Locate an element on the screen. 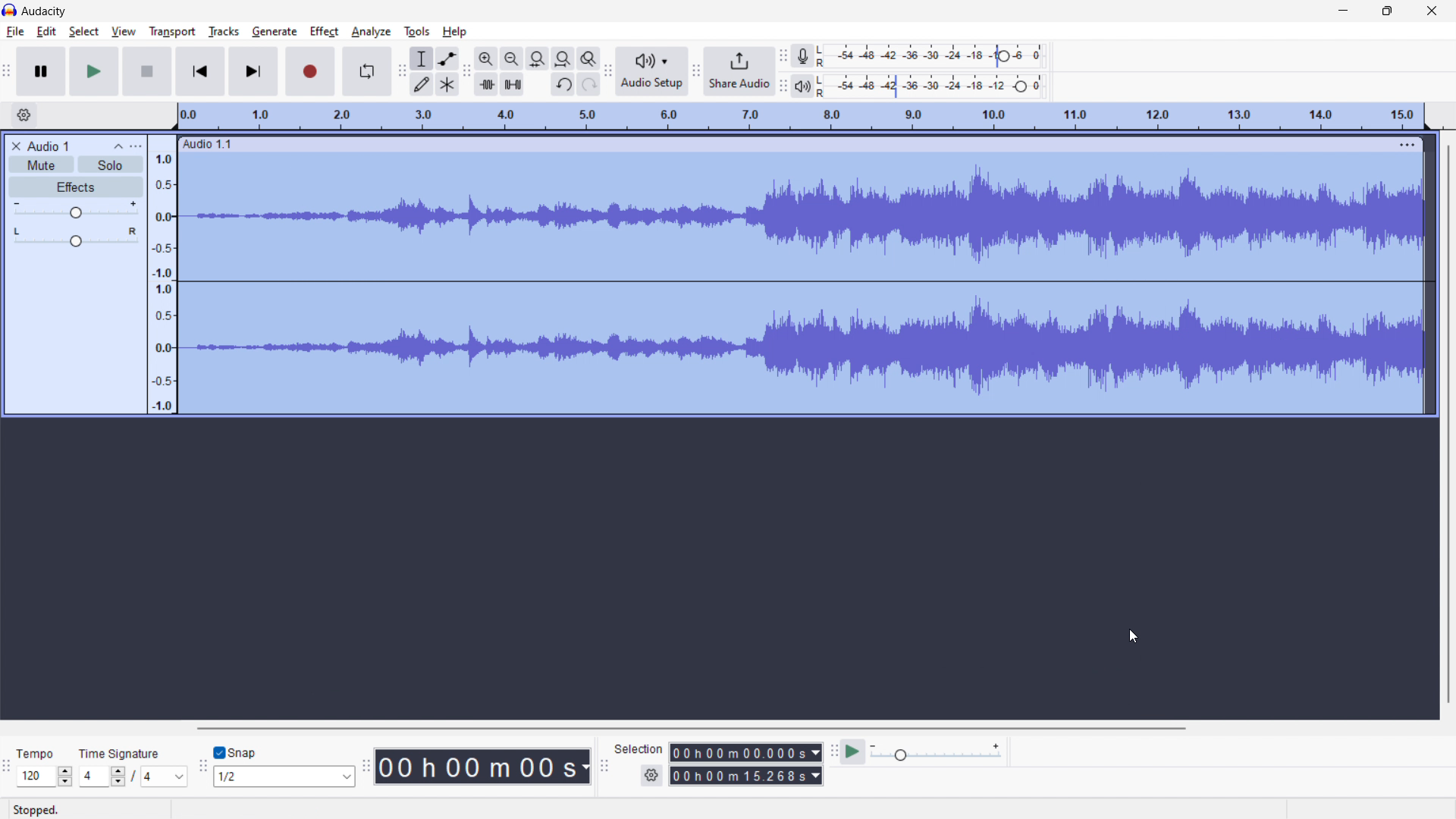 This screenshot has width=1456, height=819. 1/2 (select snapping) is located at coordinates (285, 776).